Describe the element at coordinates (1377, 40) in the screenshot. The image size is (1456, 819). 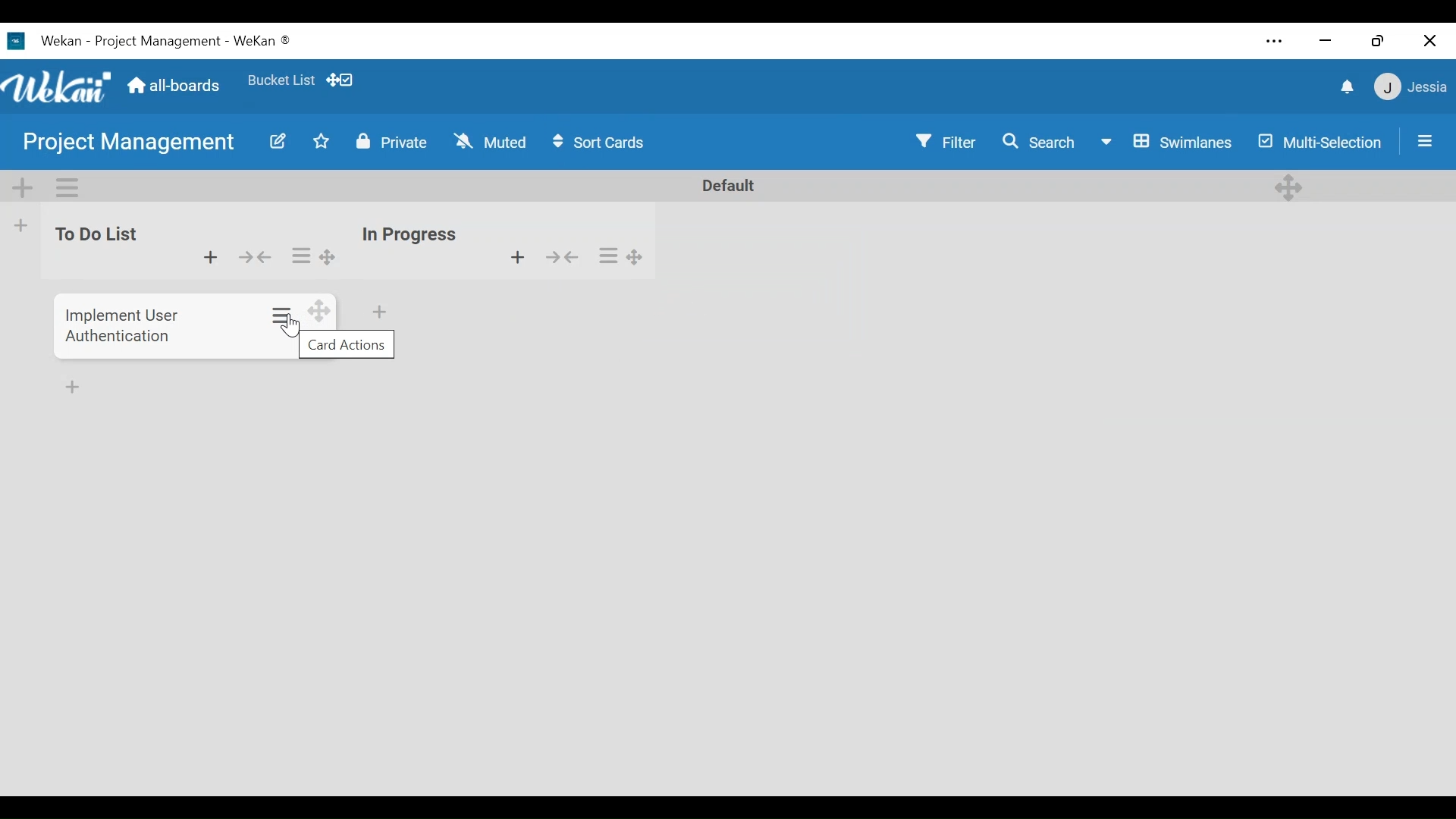
I see `restore` at that location.